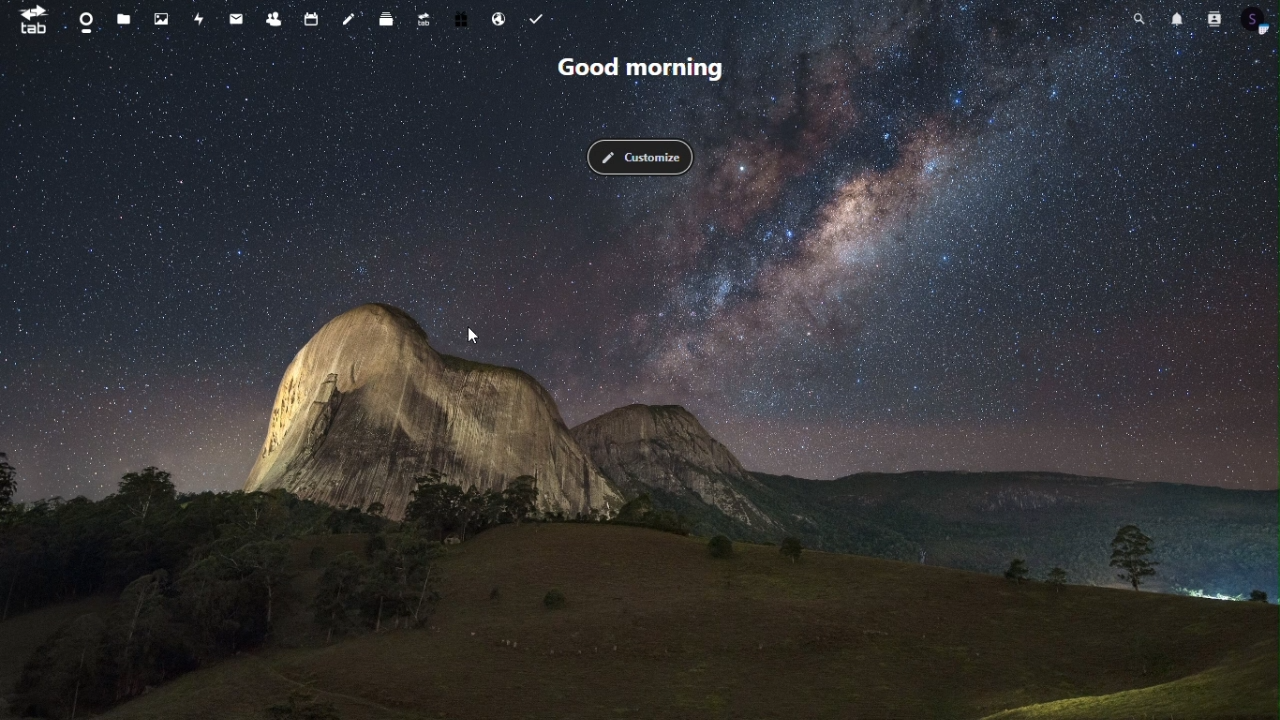 The image size is (1280, 720). Describe the element at coordinates (640, 449) in the screenshot. I see `Background wallpaper` at that location.